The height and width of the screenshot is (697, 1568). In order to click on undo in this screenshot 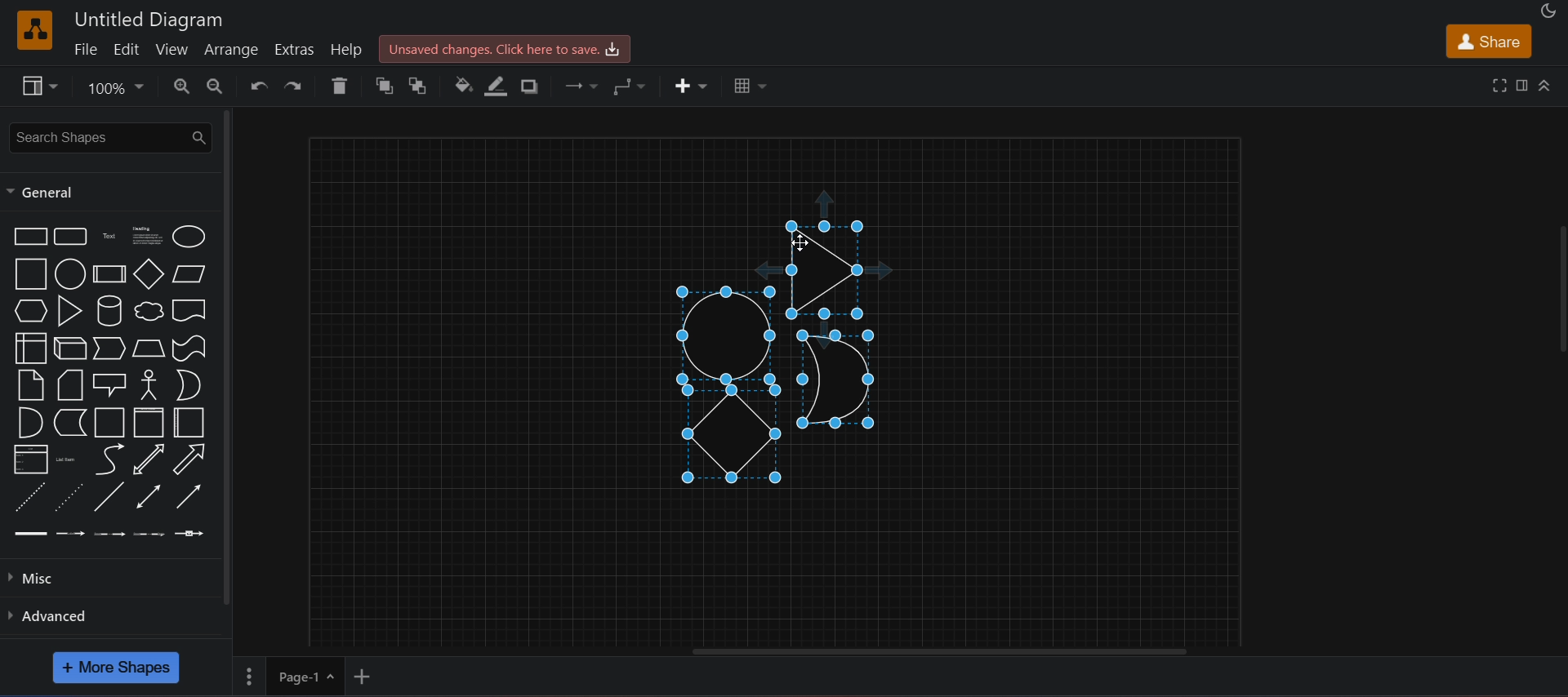, I will do `click(260, 87)`.